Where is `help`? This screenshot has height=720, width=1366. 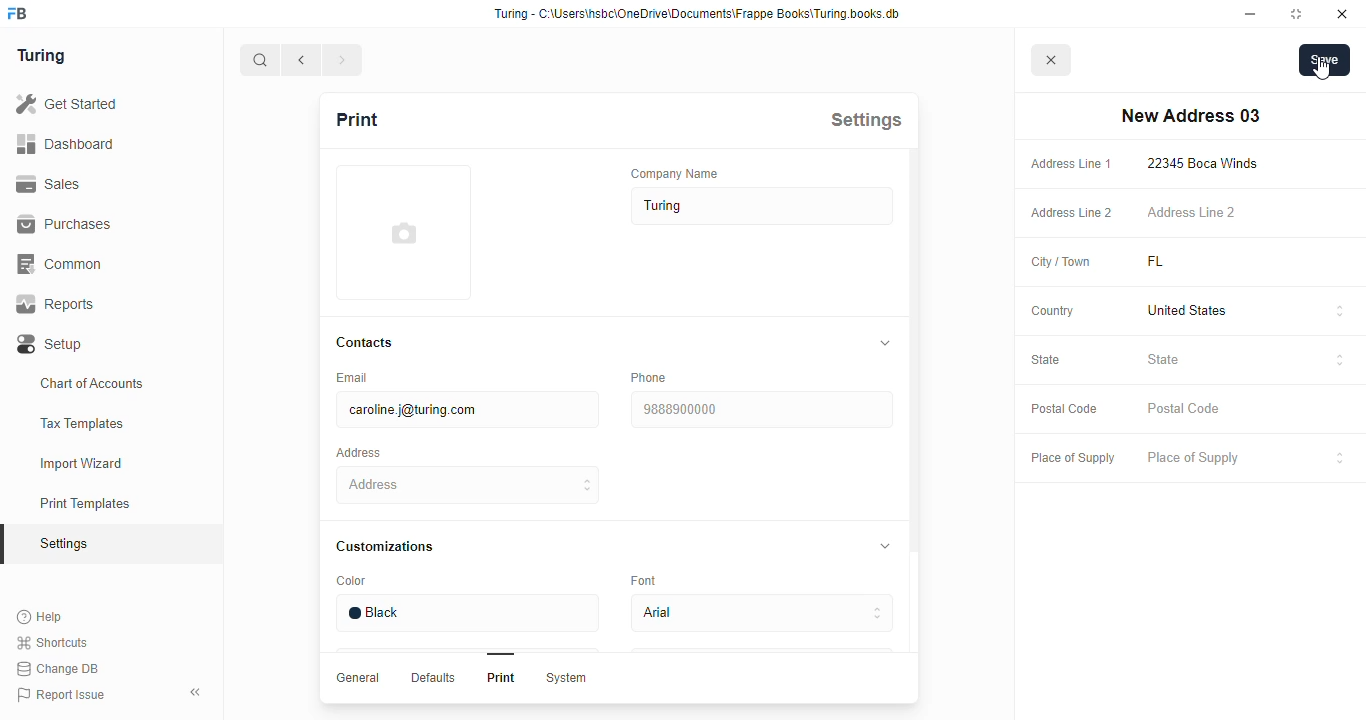
help is located at coordinates (41, 617).